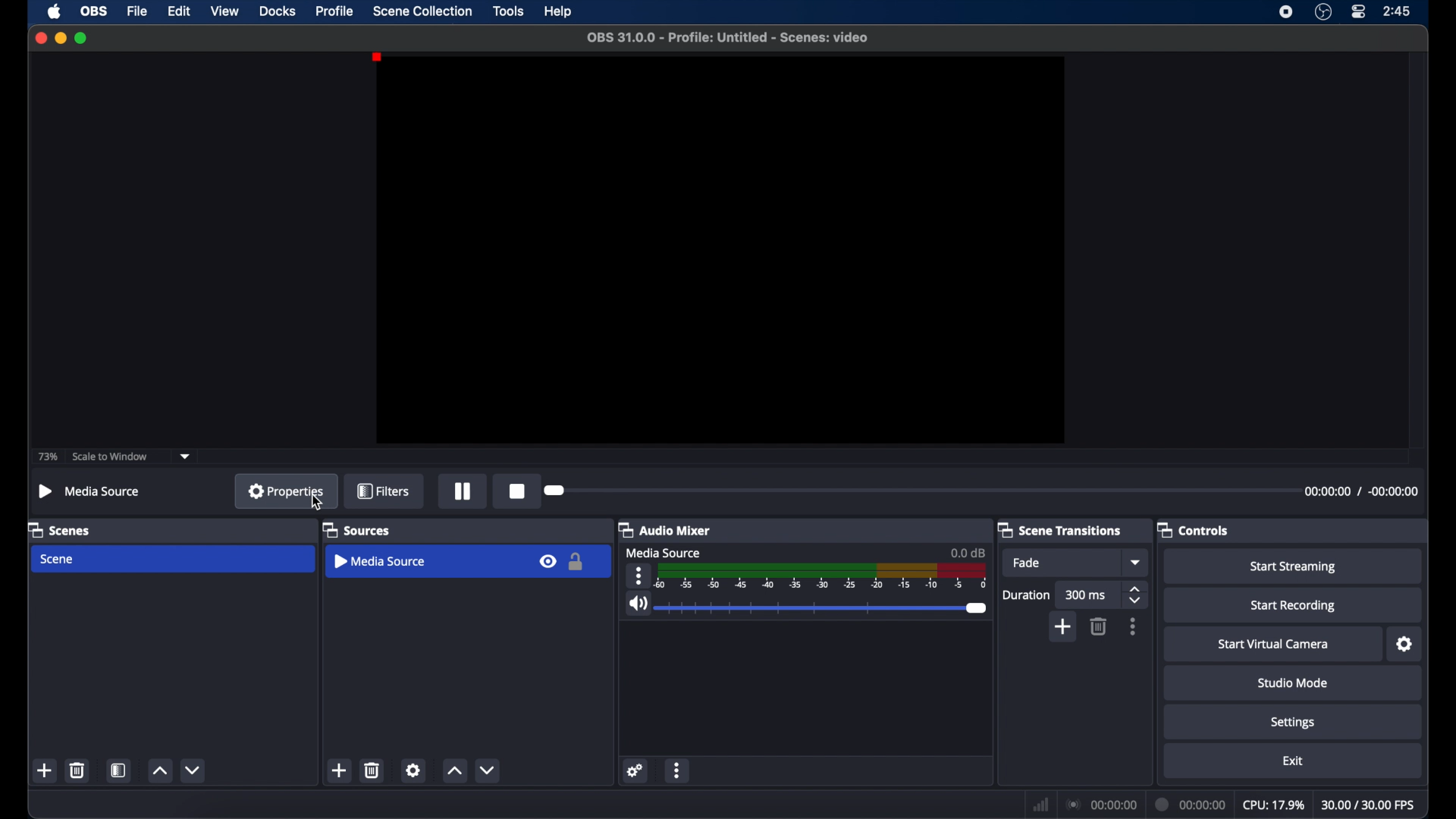 This screenshot has width=1456, height=819. Describe the element at coordinates (1294, 567) in the screenshot. I see `start streaming` at that location.